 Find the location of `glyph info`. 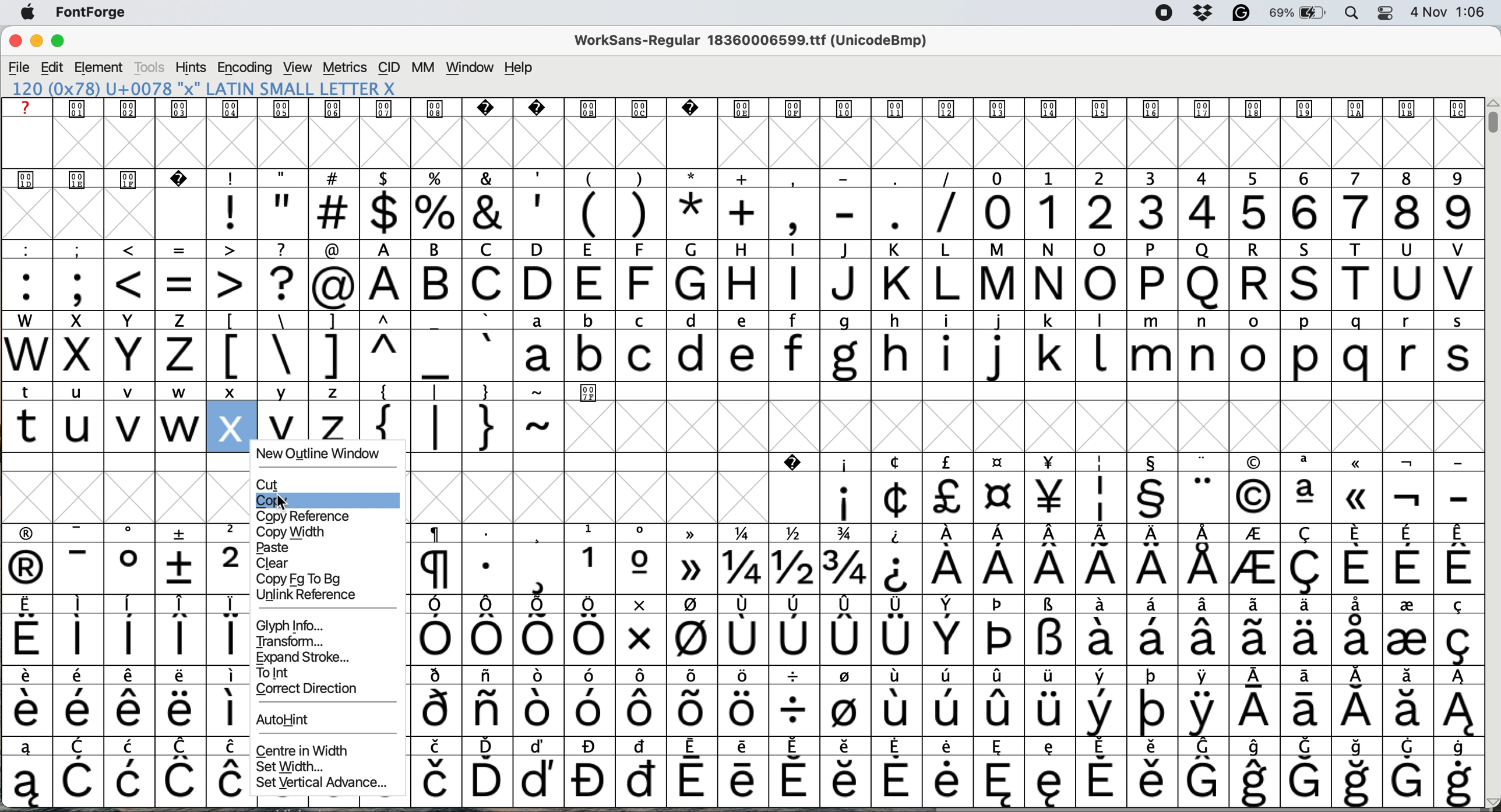

glyph info is located at coordinates (295, 624).